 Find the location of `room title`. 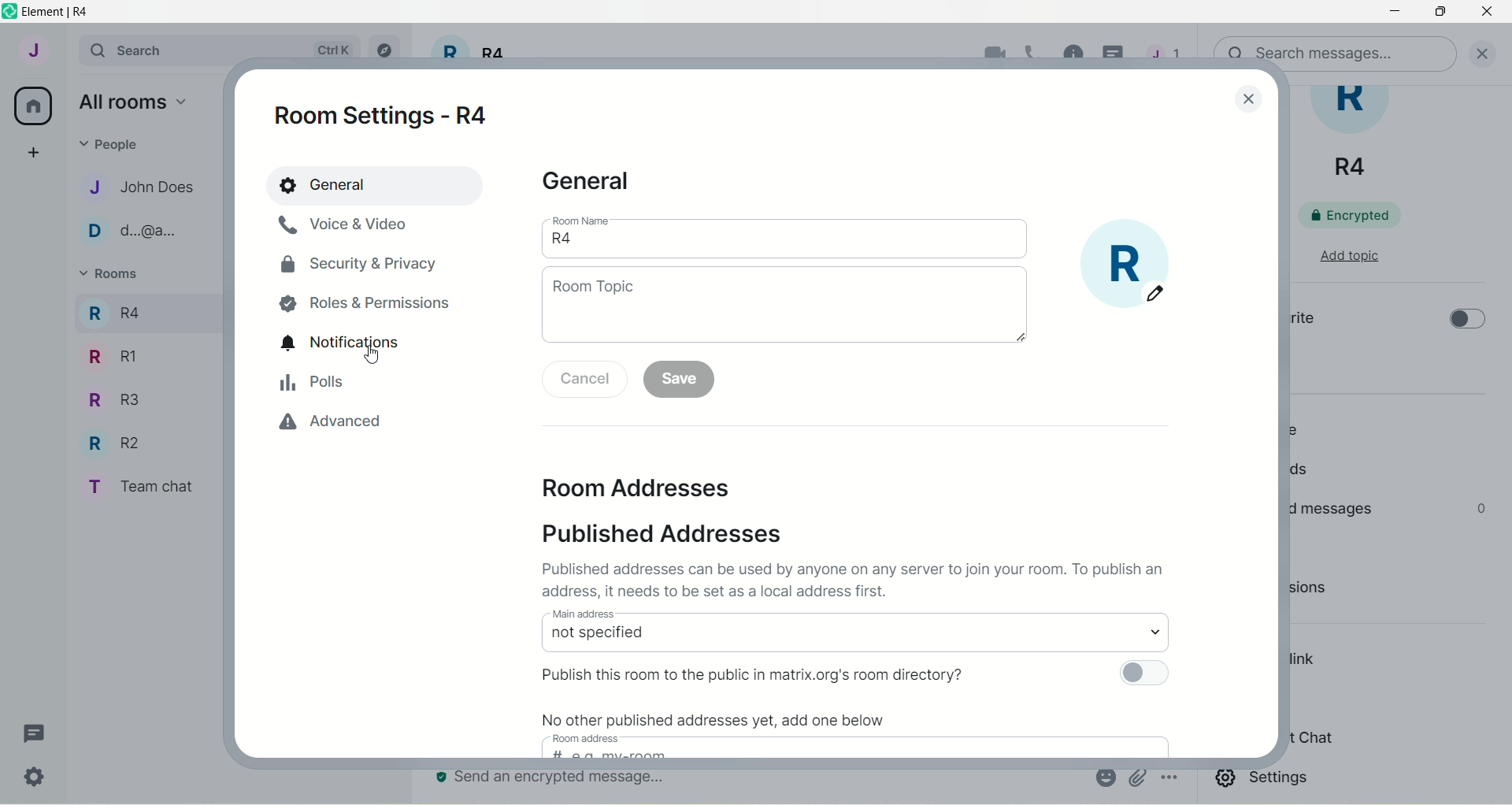

room title is located at coordinates (471, 52).